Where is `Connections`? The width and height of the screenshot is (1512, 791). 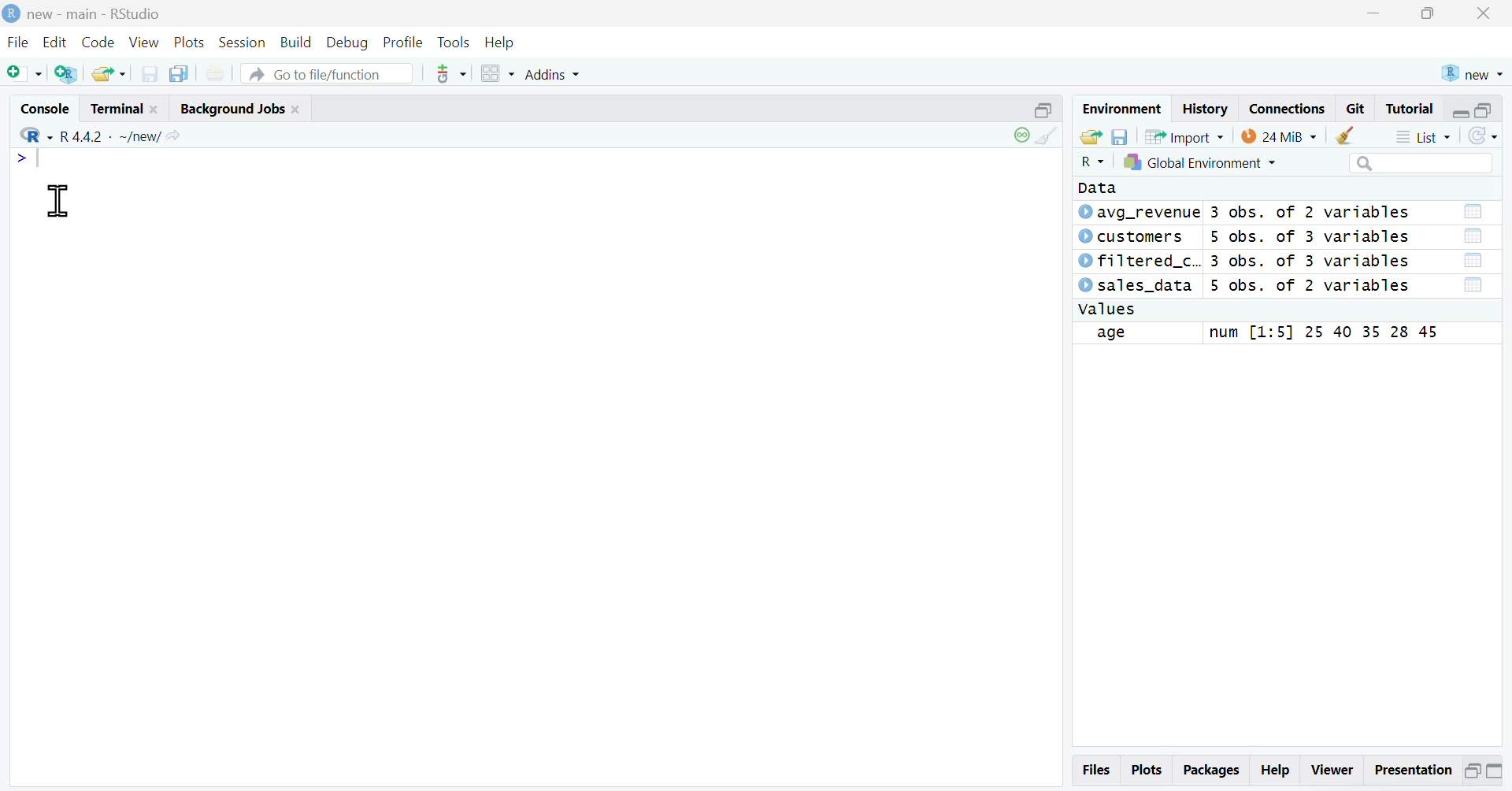
Connections is located at coordinates (1288, 109).